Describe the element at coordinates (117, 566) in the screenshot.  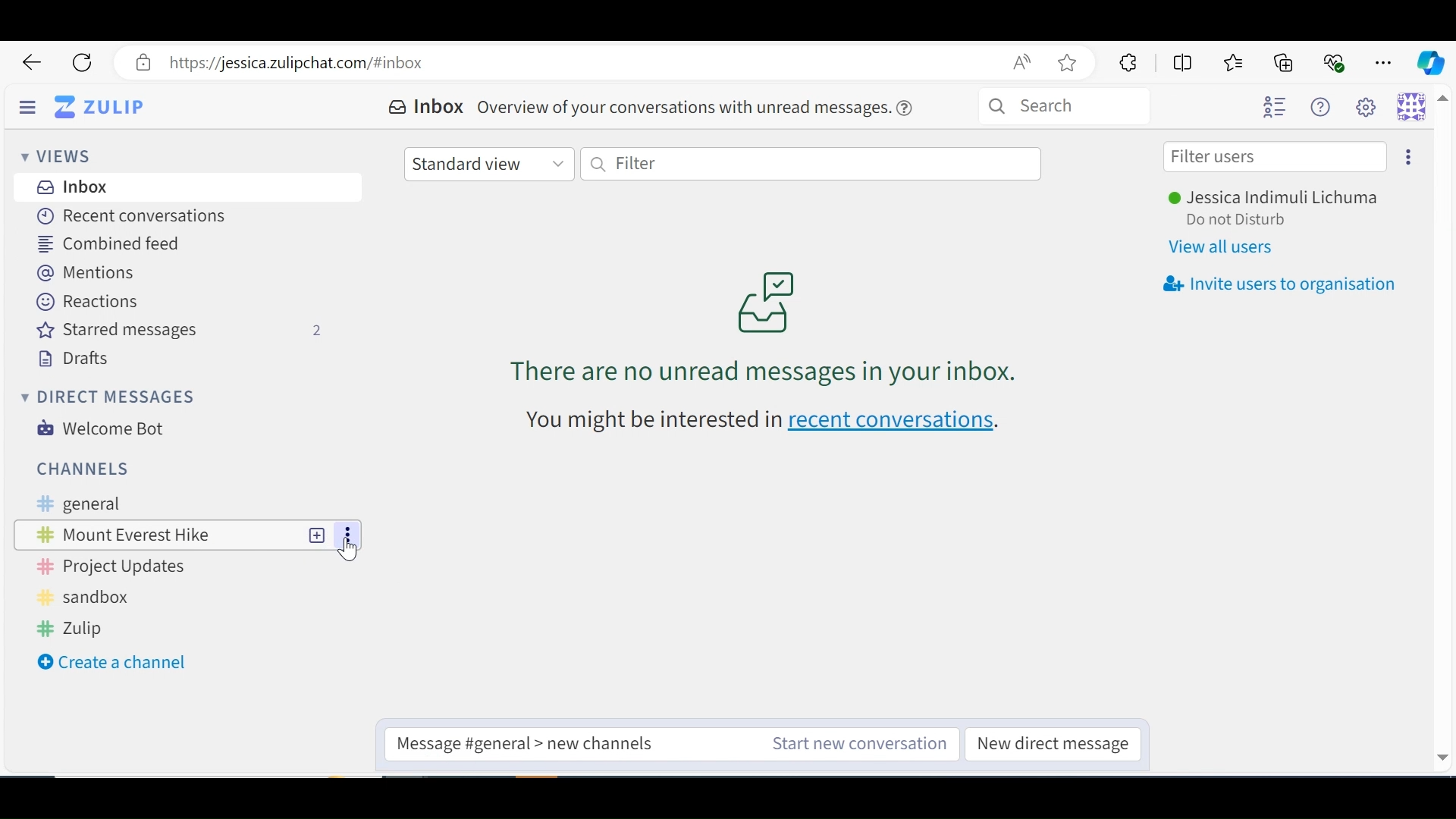
I see `Project Updates` at that location.